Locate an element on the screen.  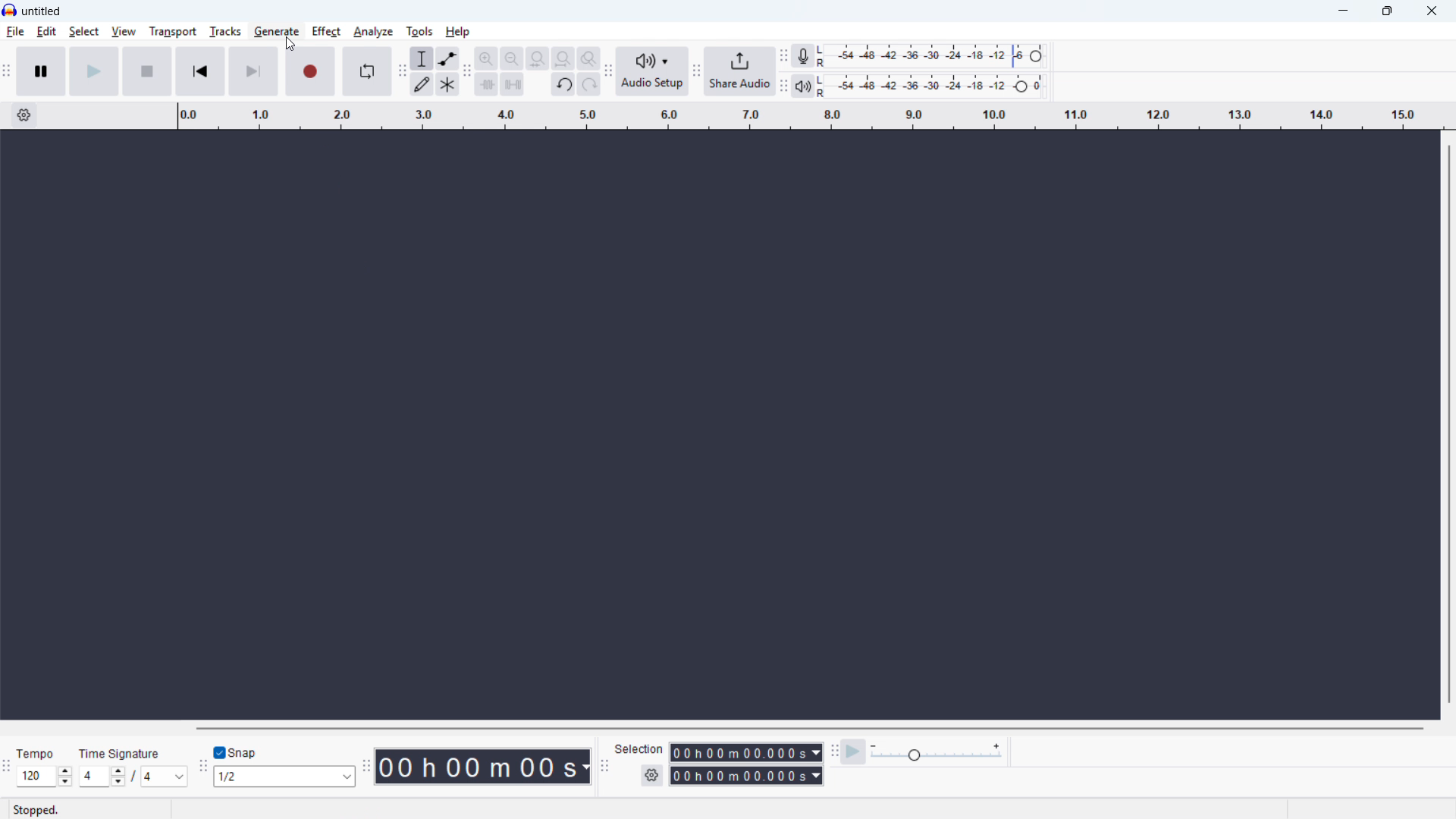
Skip to end   is located at coordinates (253, 71).